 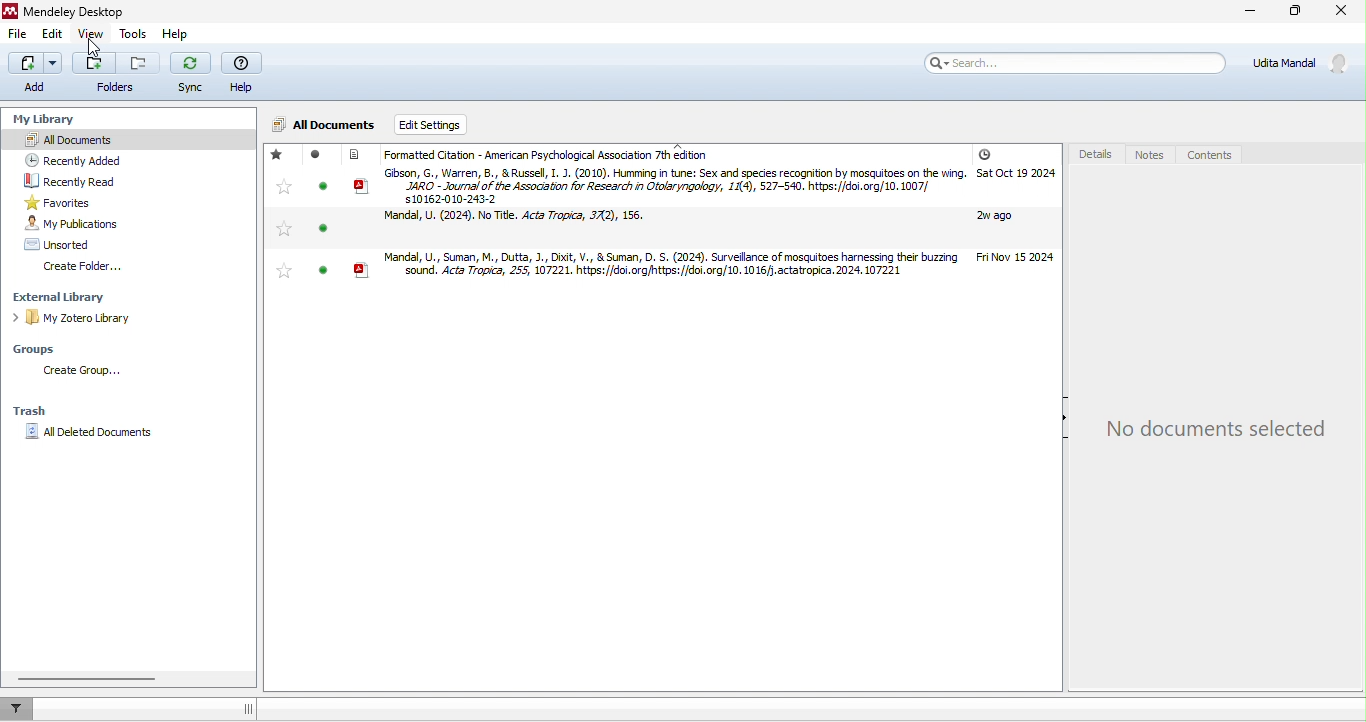 I want to click on help, so click(x=245, y=72).